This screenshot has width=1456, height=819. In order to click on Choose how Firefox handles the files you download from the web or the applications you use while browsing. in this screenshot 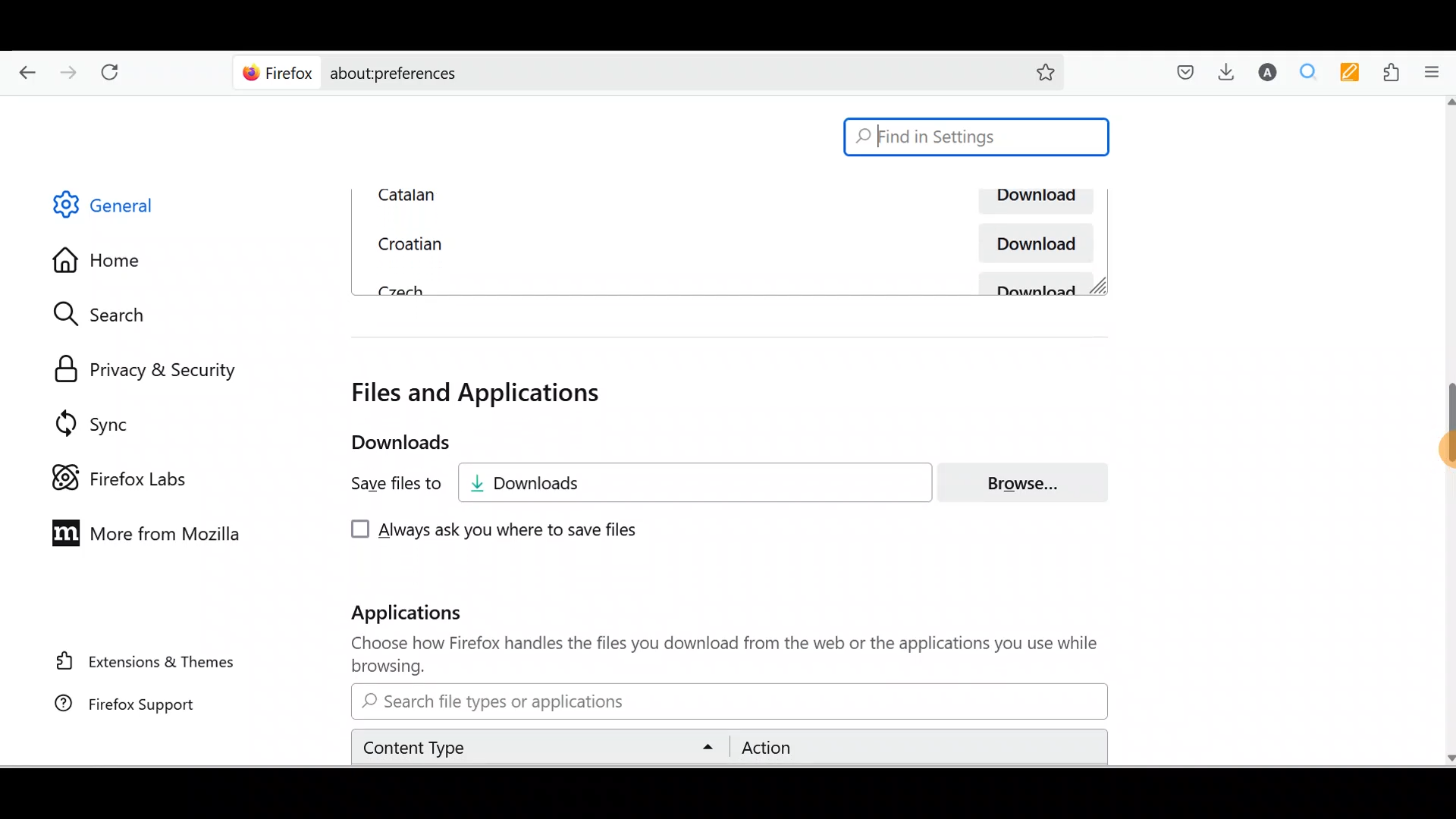, I will do `click(714, 655)`.